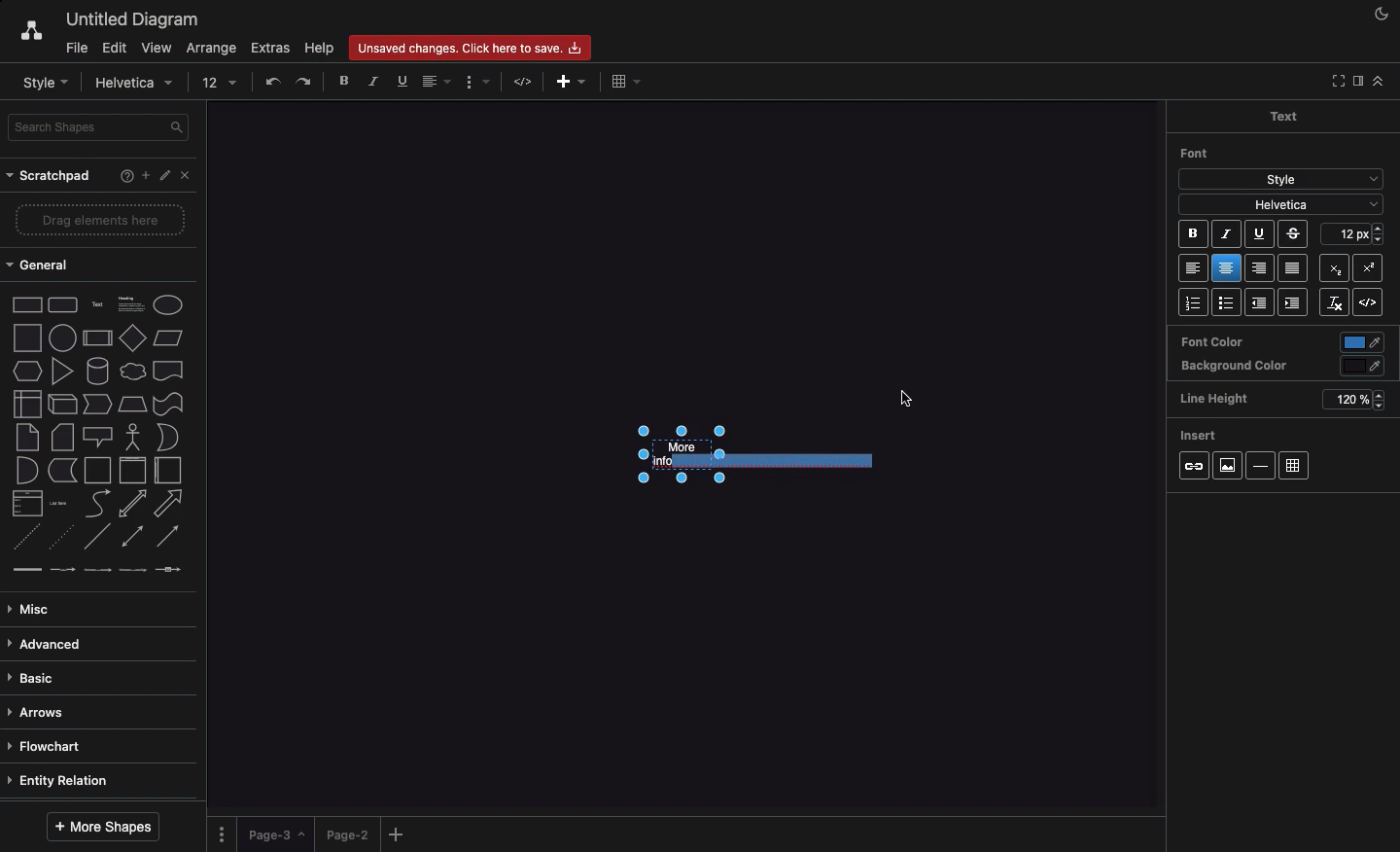 The image size is (1400, 852). I want to click on step, so click(97, 404).